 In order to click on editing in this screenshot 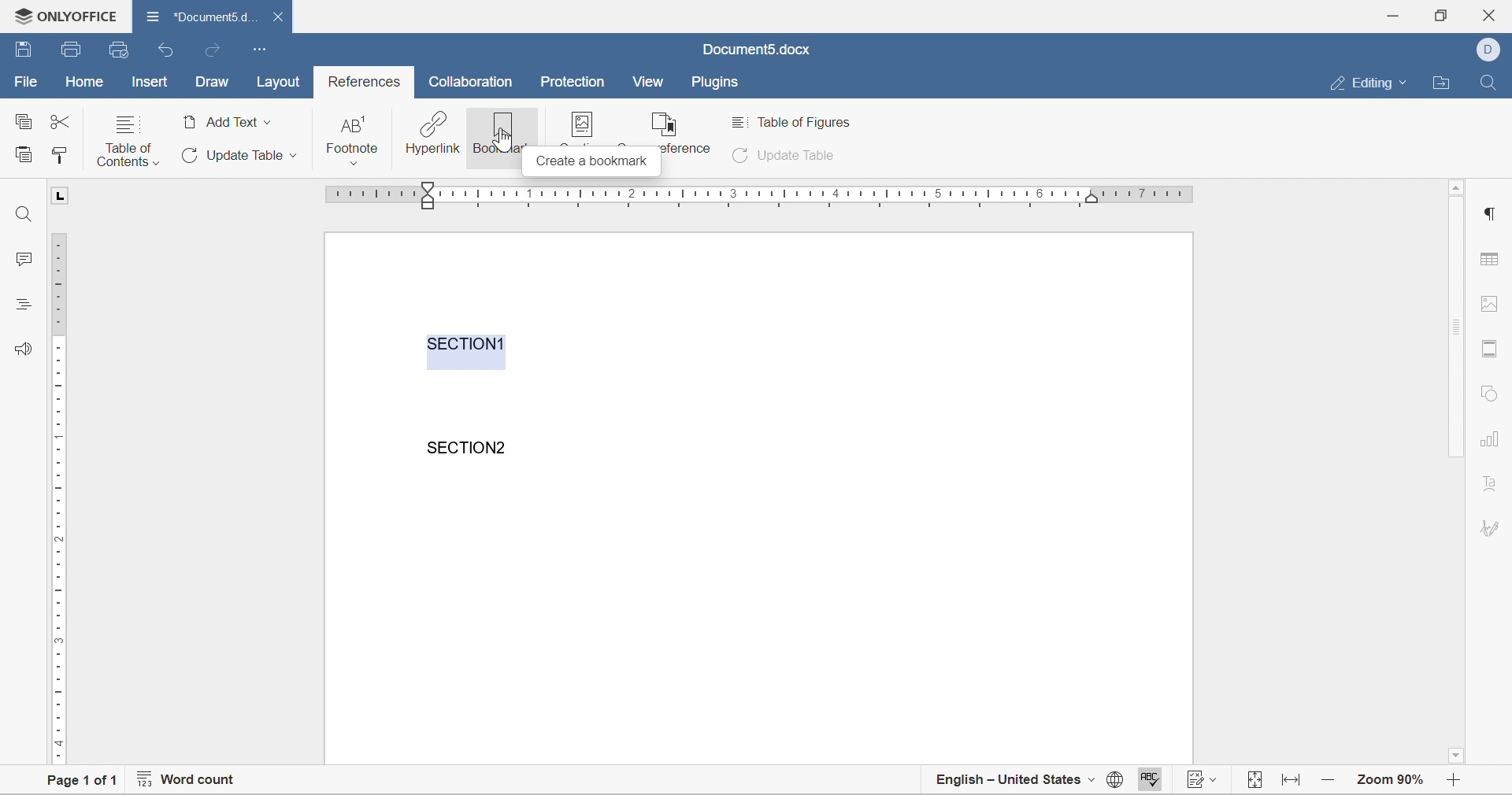, I will do `click(1373, 83)`.